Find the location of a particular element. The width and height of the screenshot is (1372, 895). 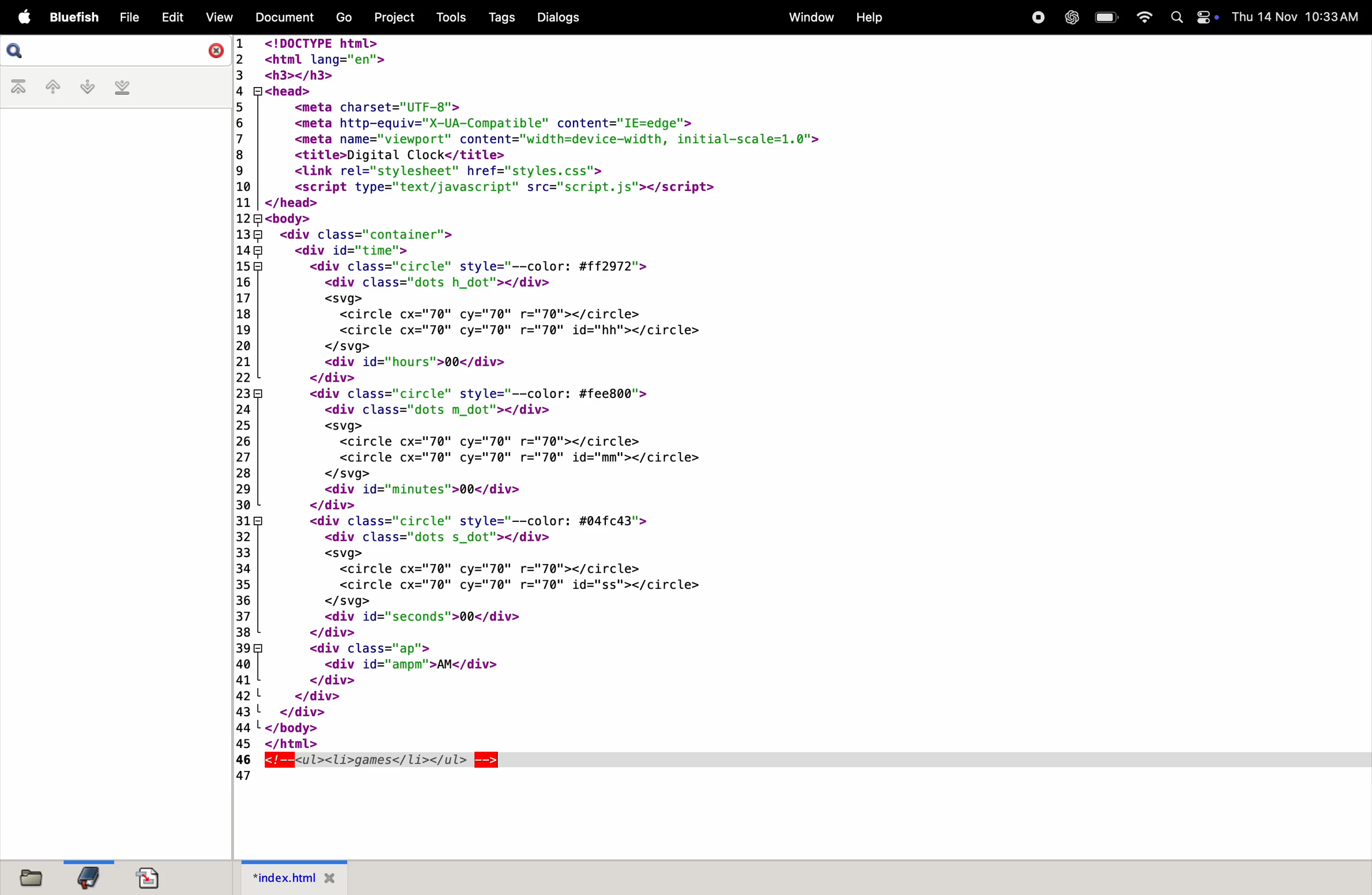

battery is located at coordinates (1104, 18).